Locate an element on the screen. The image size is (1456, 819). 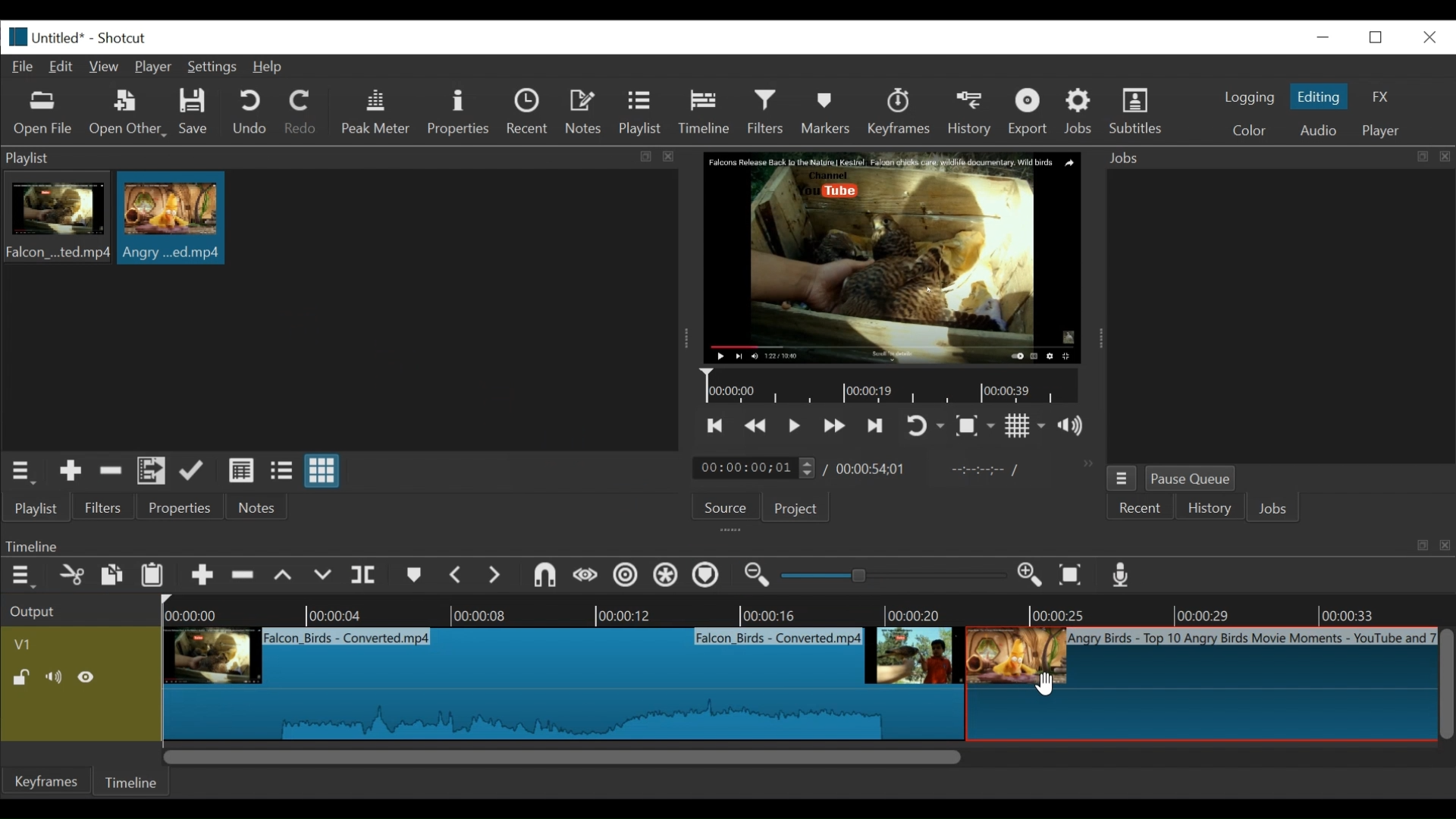
Jobs menu is located at coordinates (1269, 156).